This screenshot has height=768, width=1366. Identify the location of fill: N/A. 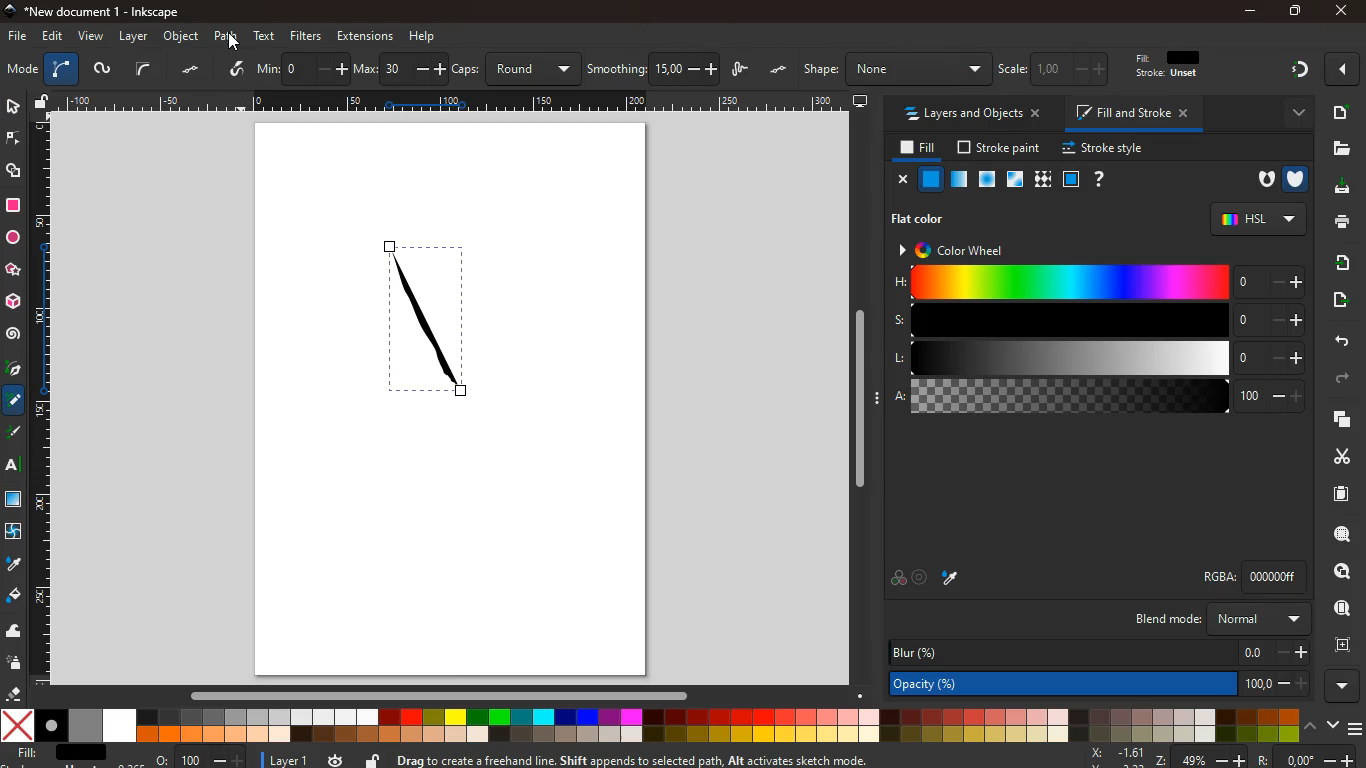
(57, 753).